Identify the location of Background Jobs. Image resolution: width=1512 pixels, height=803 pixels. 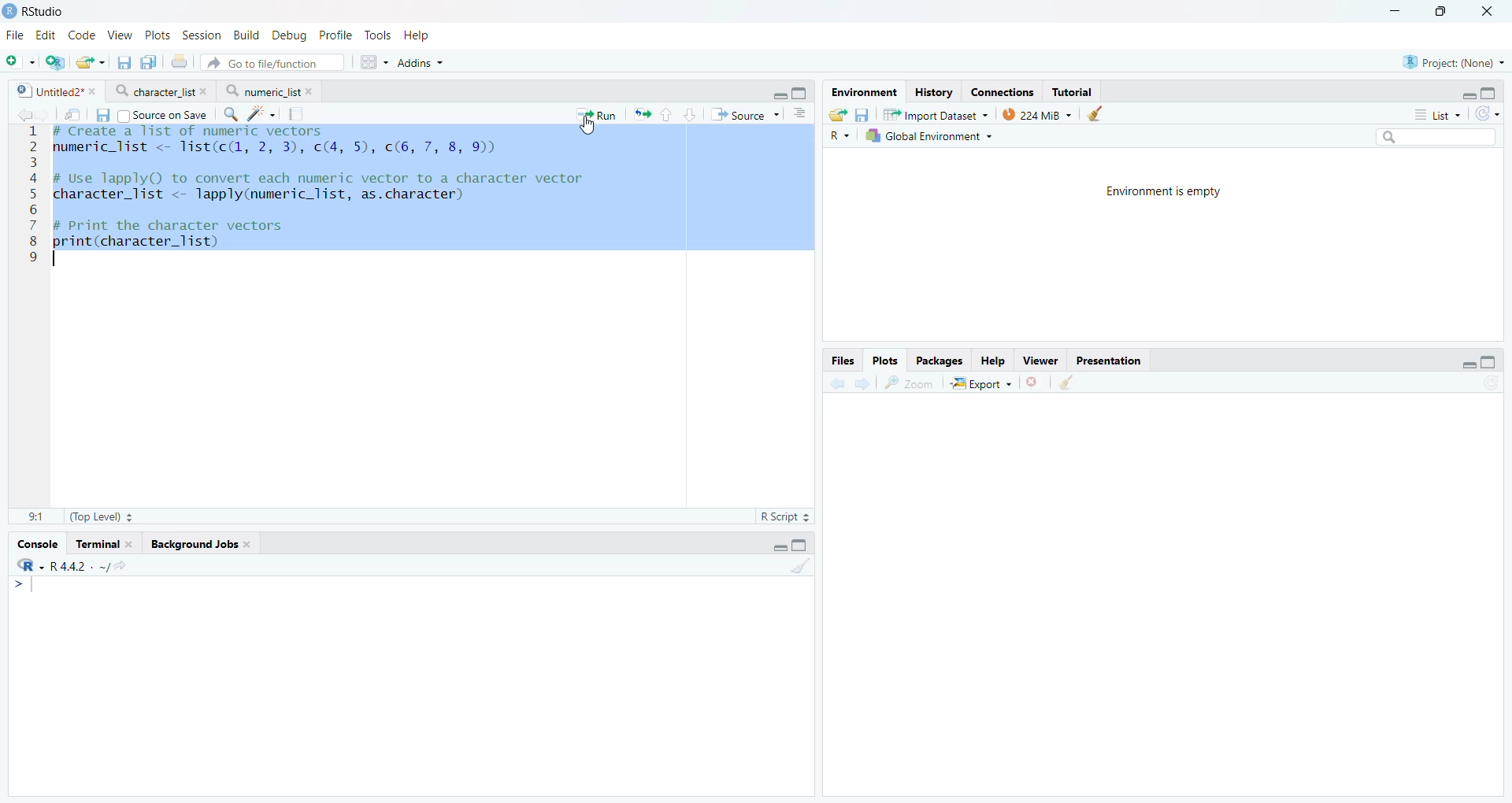
(201, 546).